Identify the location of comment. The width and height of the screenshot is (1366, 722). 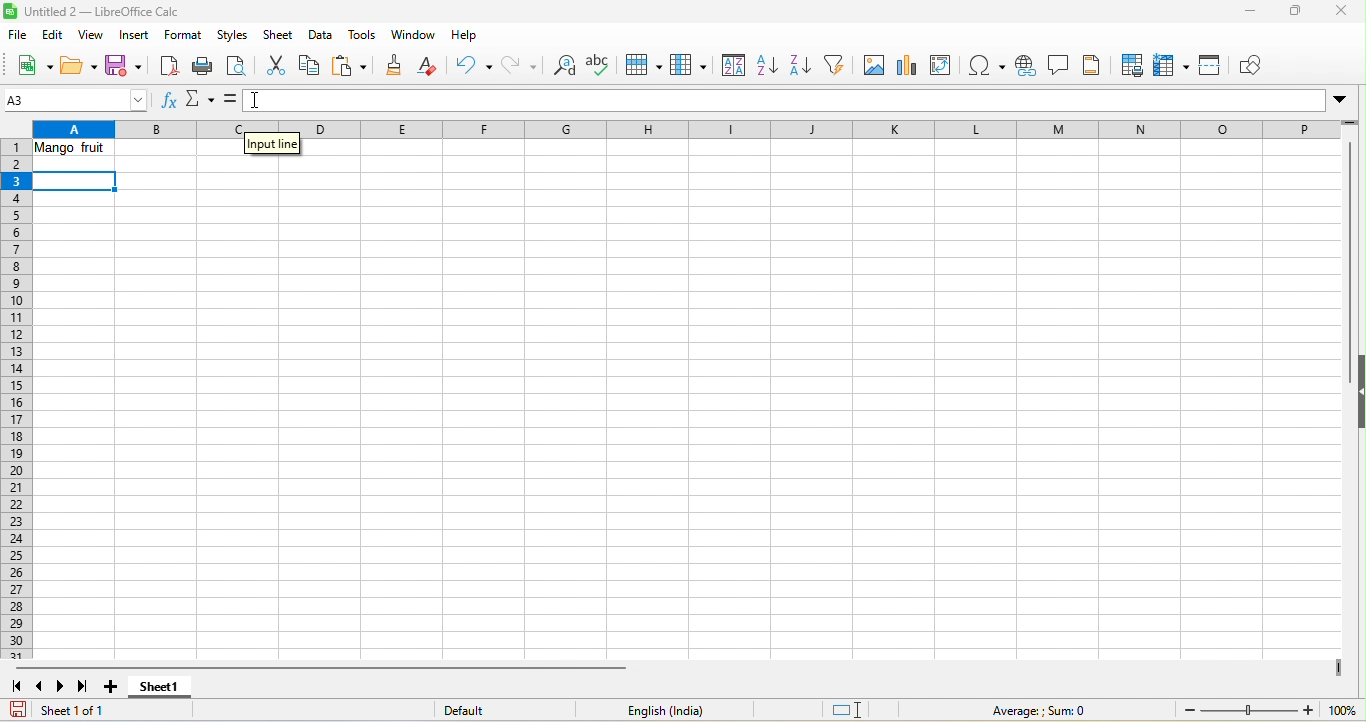
(1061, 67).